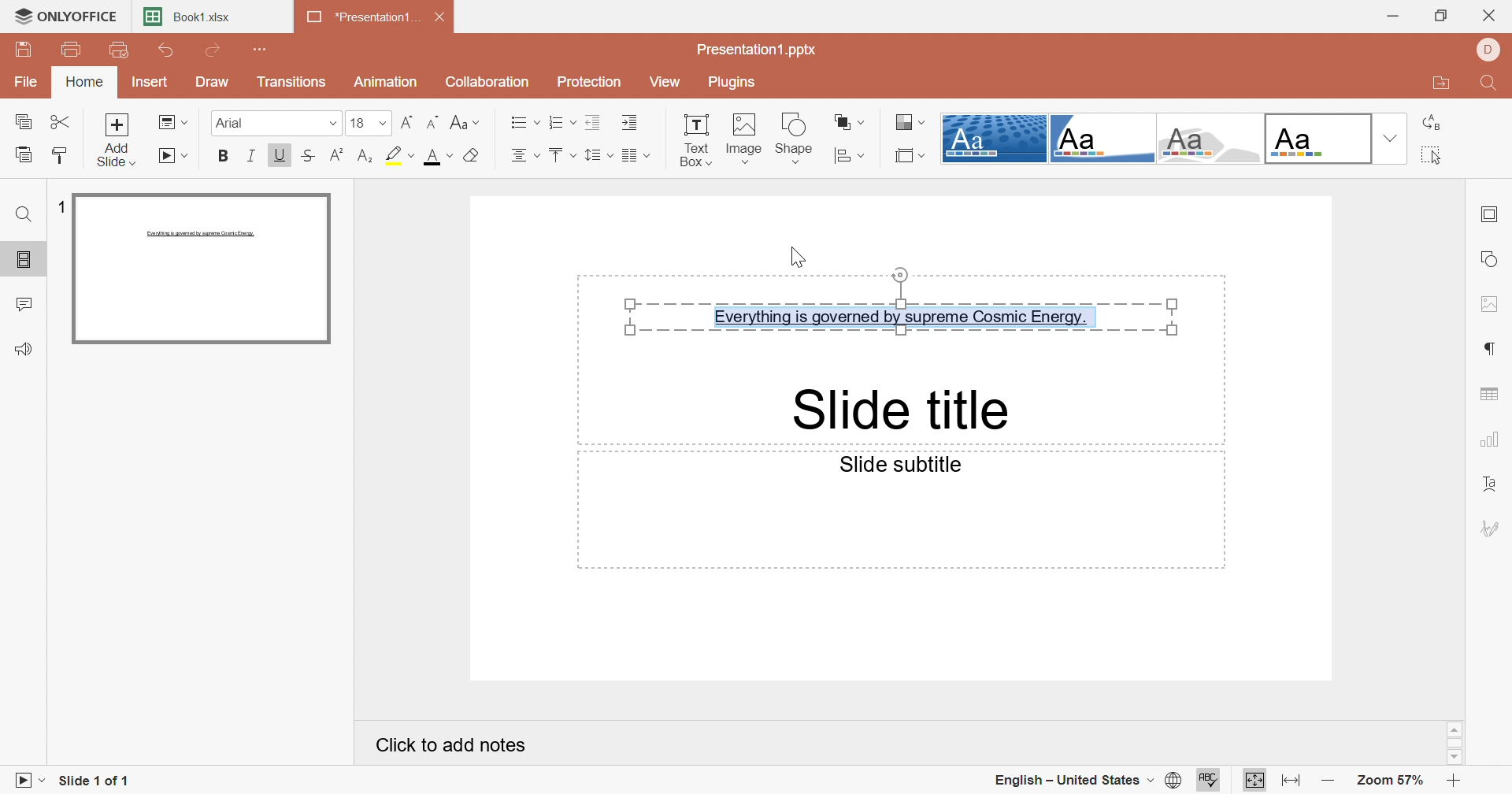  I want to click on Open file location, so click(1441, 83).